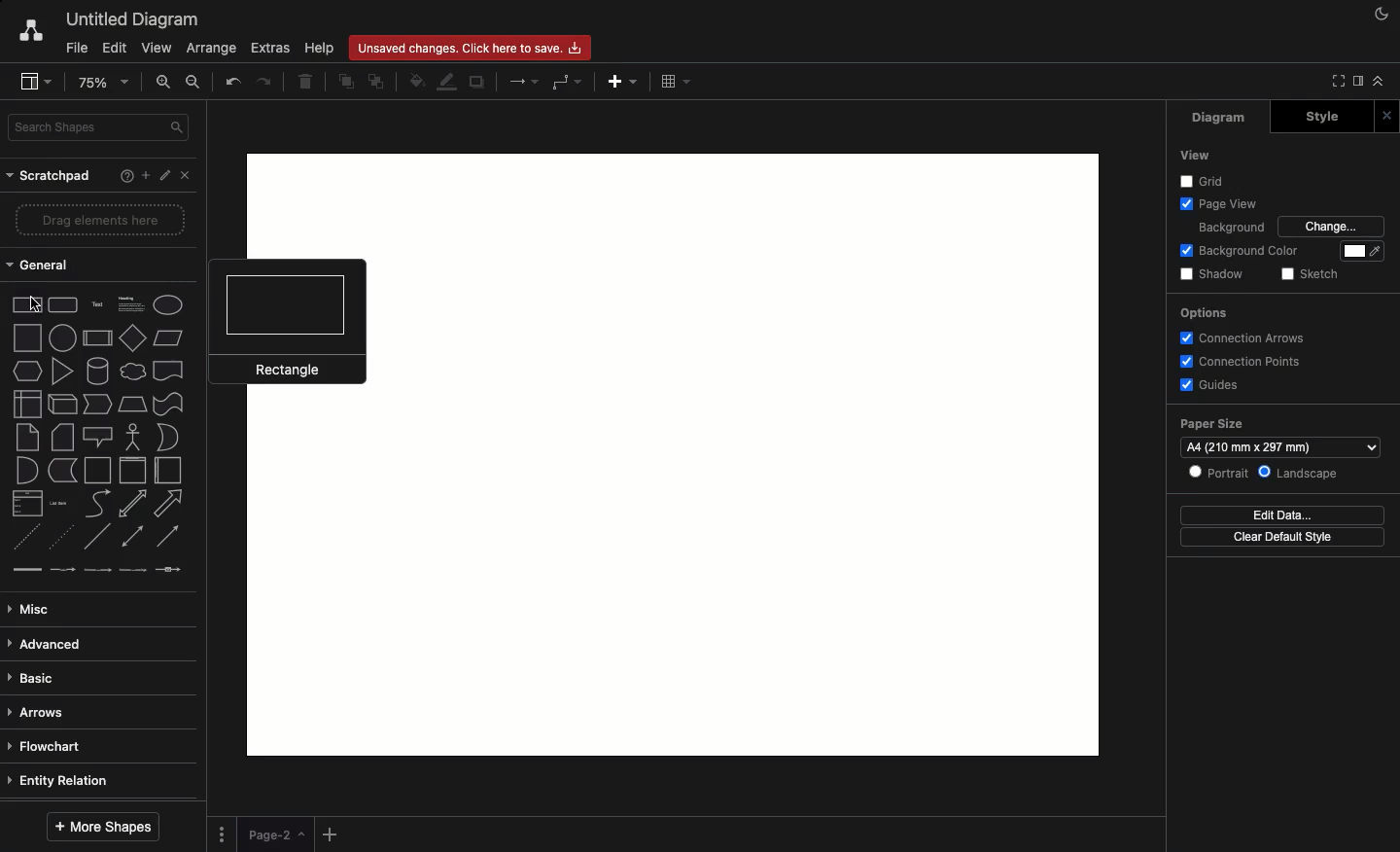  Describe the element at coordinates (171, 572) in the screenshot. I see `connector with symbol` at that location.